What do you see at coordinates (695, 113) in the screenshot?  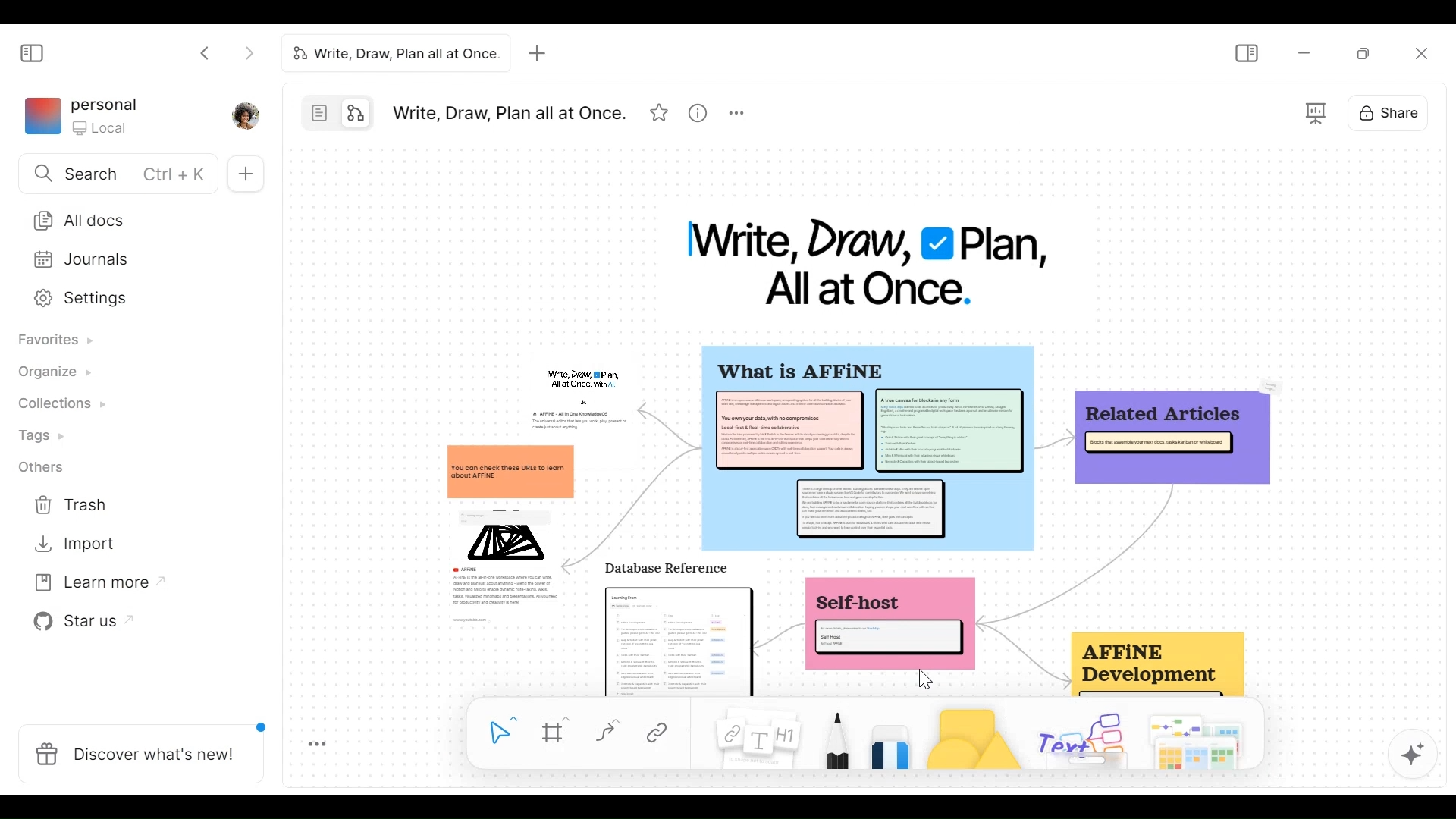 I see `view information` at bounding box center [695, 113].